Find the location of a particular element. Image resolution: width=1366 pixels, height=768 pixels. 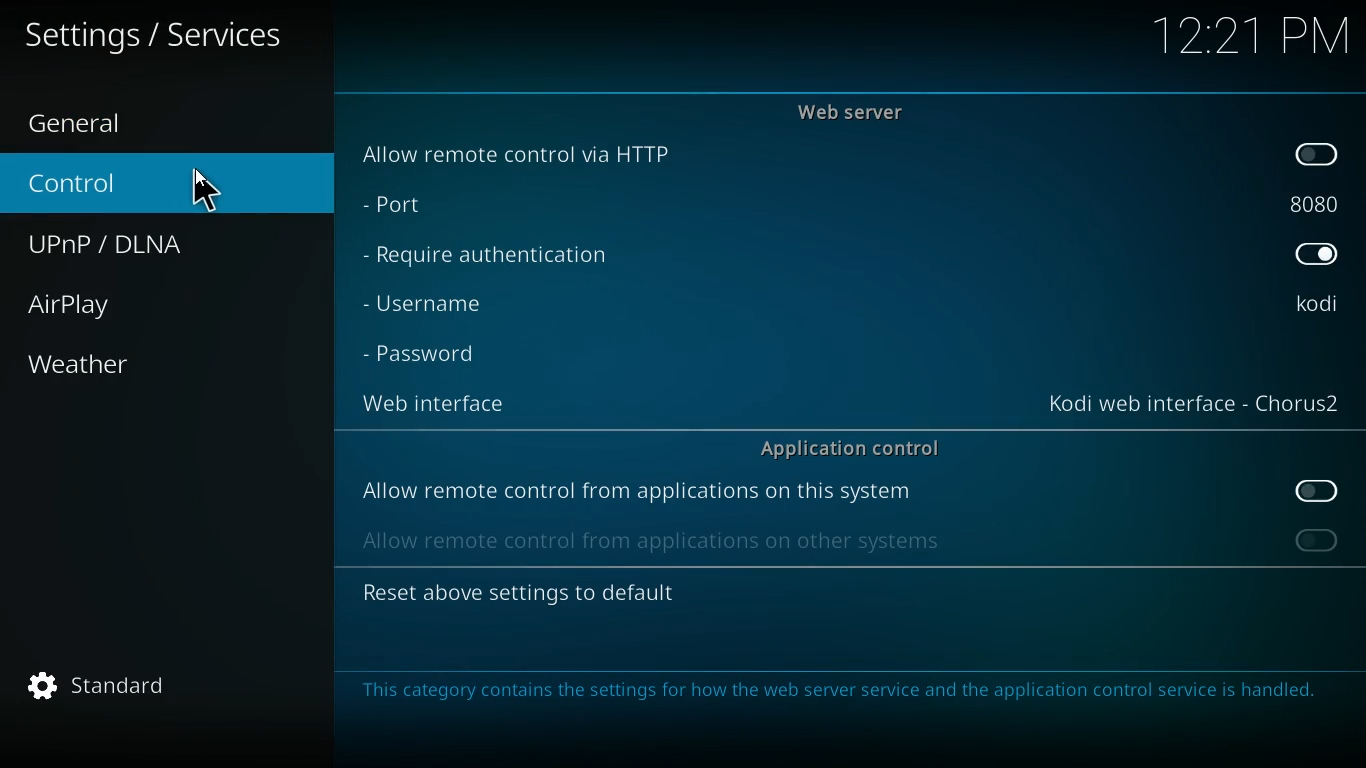

allow remote control is located at coordinates (639, 491).